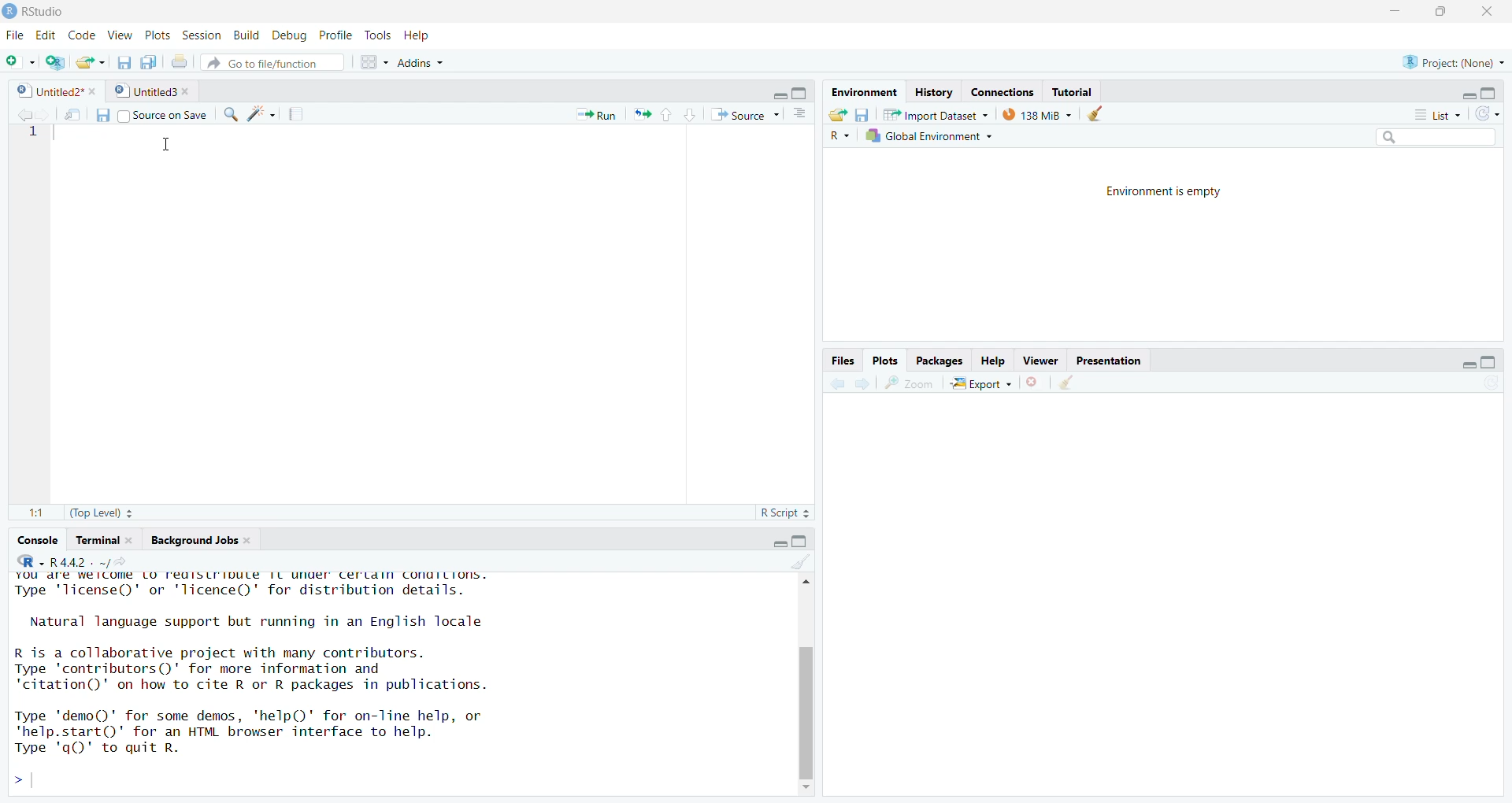 This screenshot has width=1512, height=803. I want to click on clear objects, so click(1099, 113).